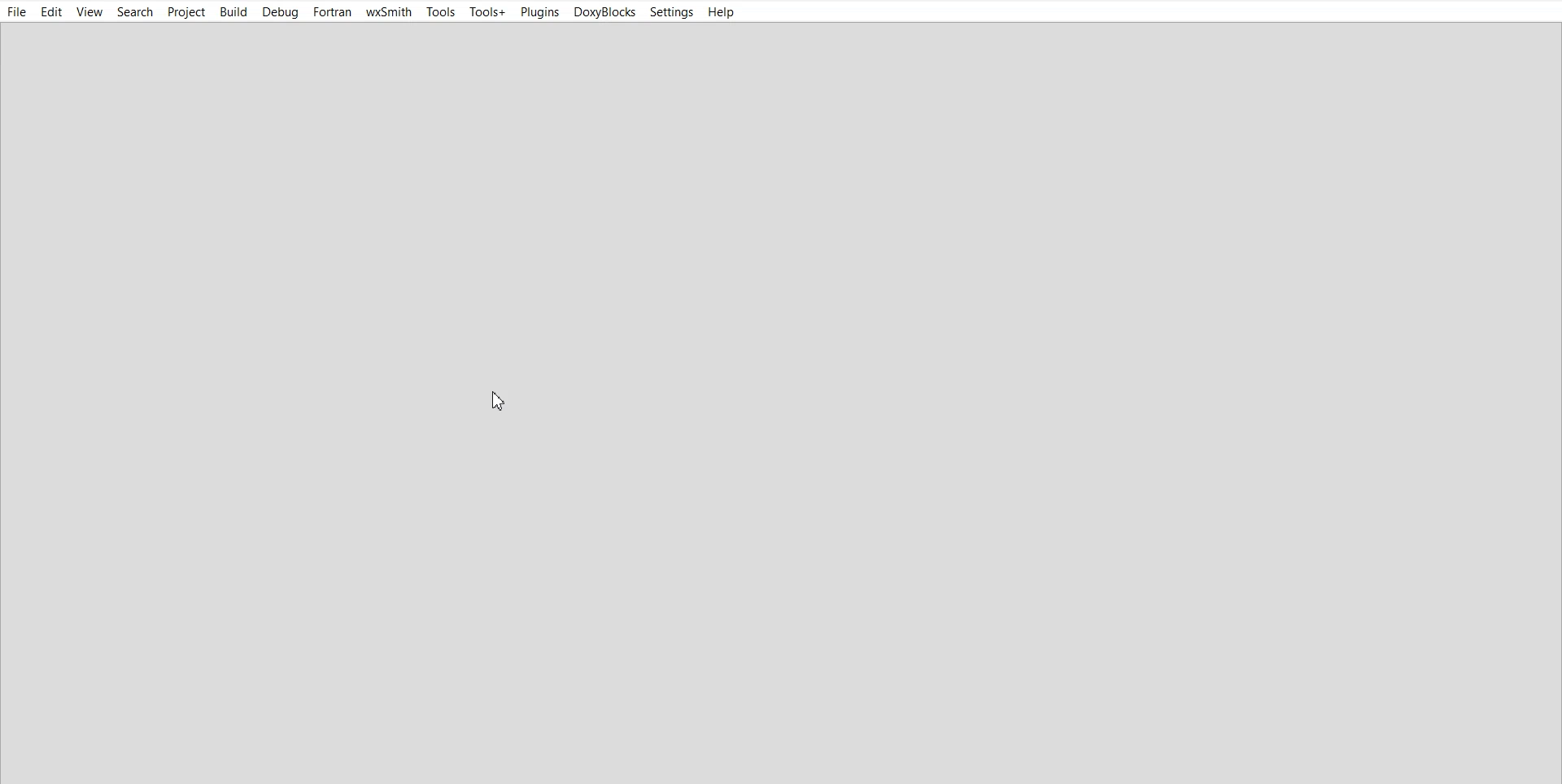 The height and width of the screenshot is (784, 1562). Describe the element at coordinates (281, 11) in the screenshot. I see `Debug` at that location.